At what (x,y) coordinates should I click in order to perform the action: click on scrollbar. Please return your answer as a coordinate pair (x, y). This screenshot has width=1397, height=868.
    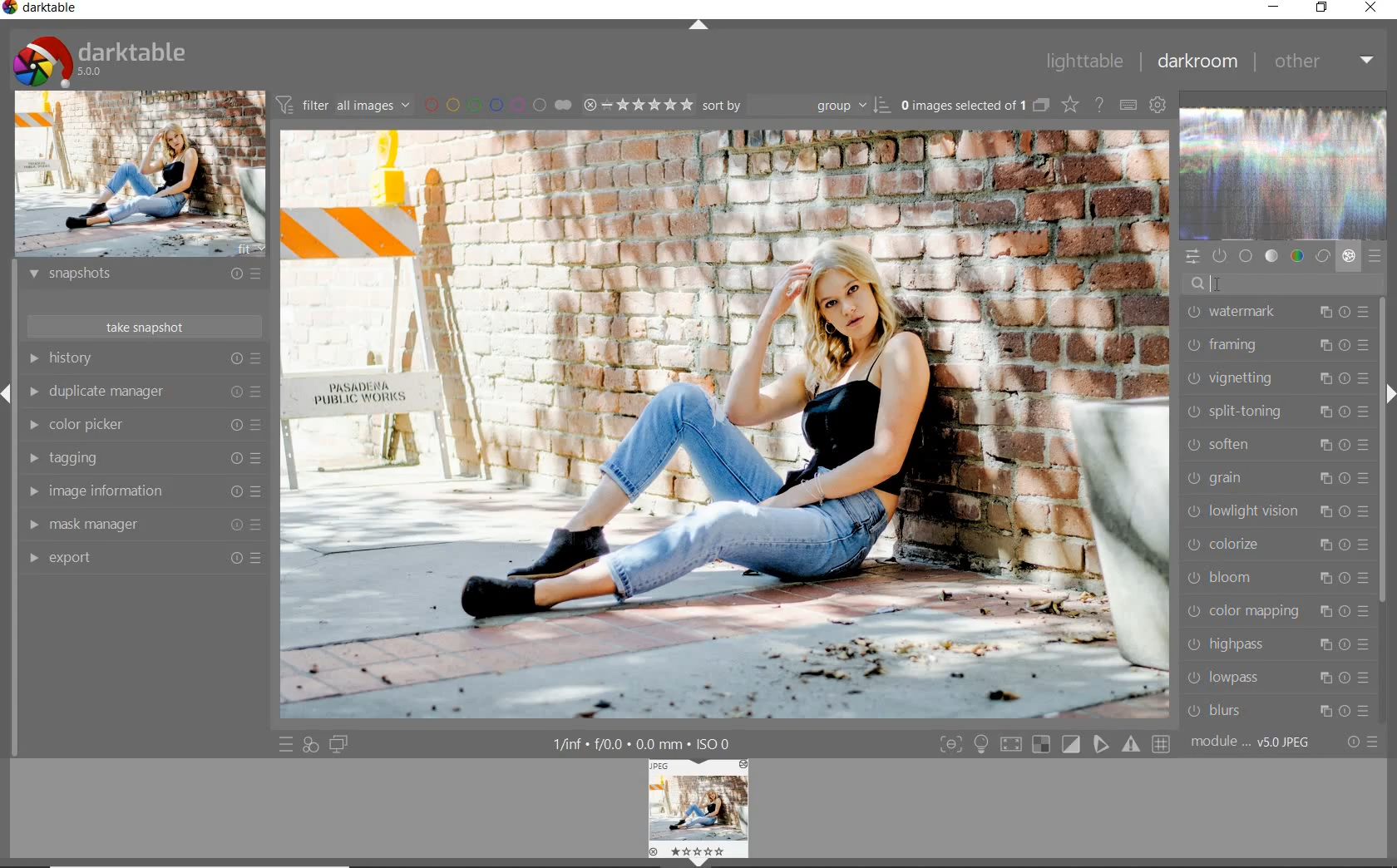
    Looking at the image, I should click on (1382, 455).